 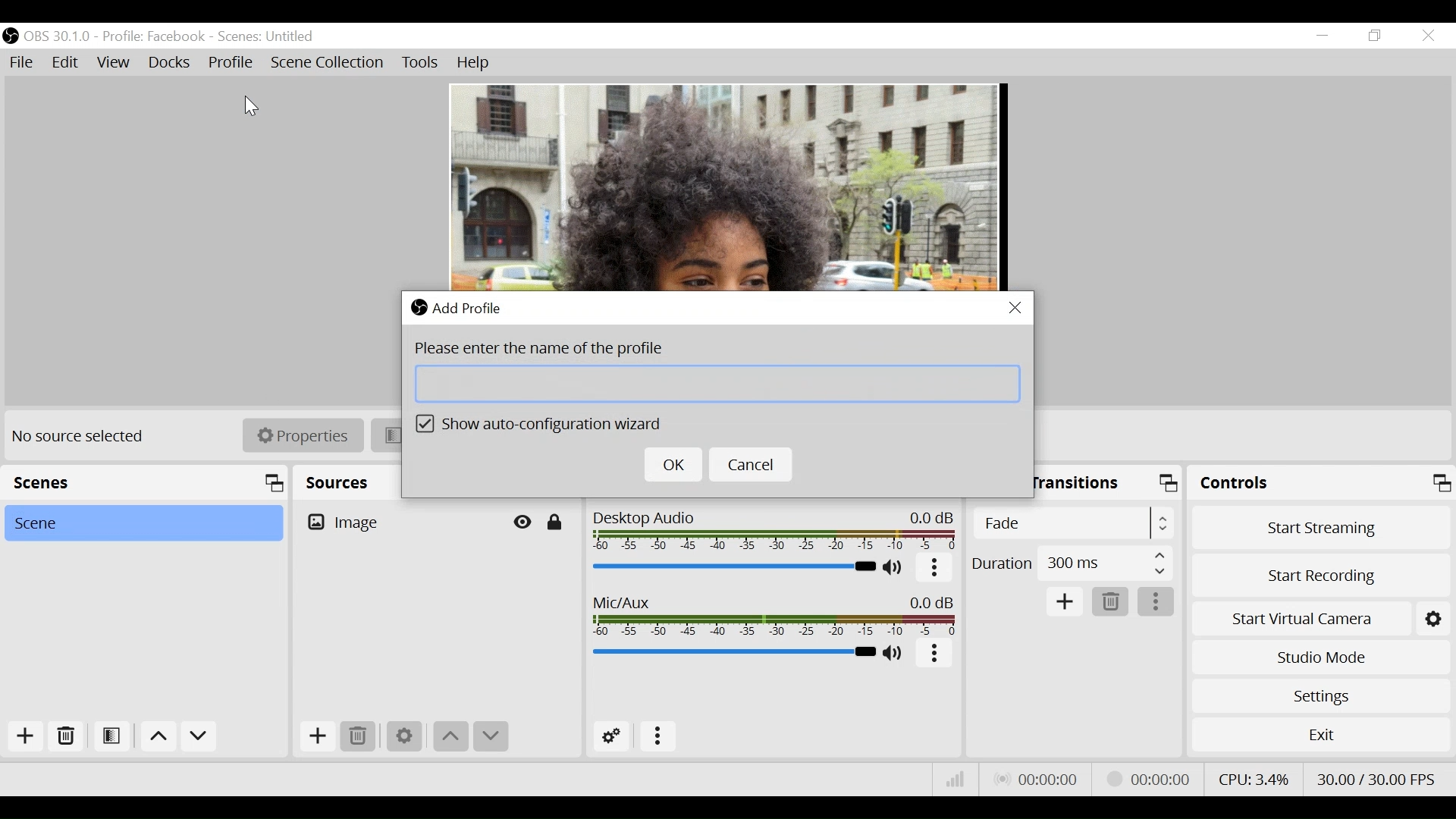 What do you see at coordinates (1373, 36) in the screenshot?
I see `Restore` at bounding box center [1373, 36].